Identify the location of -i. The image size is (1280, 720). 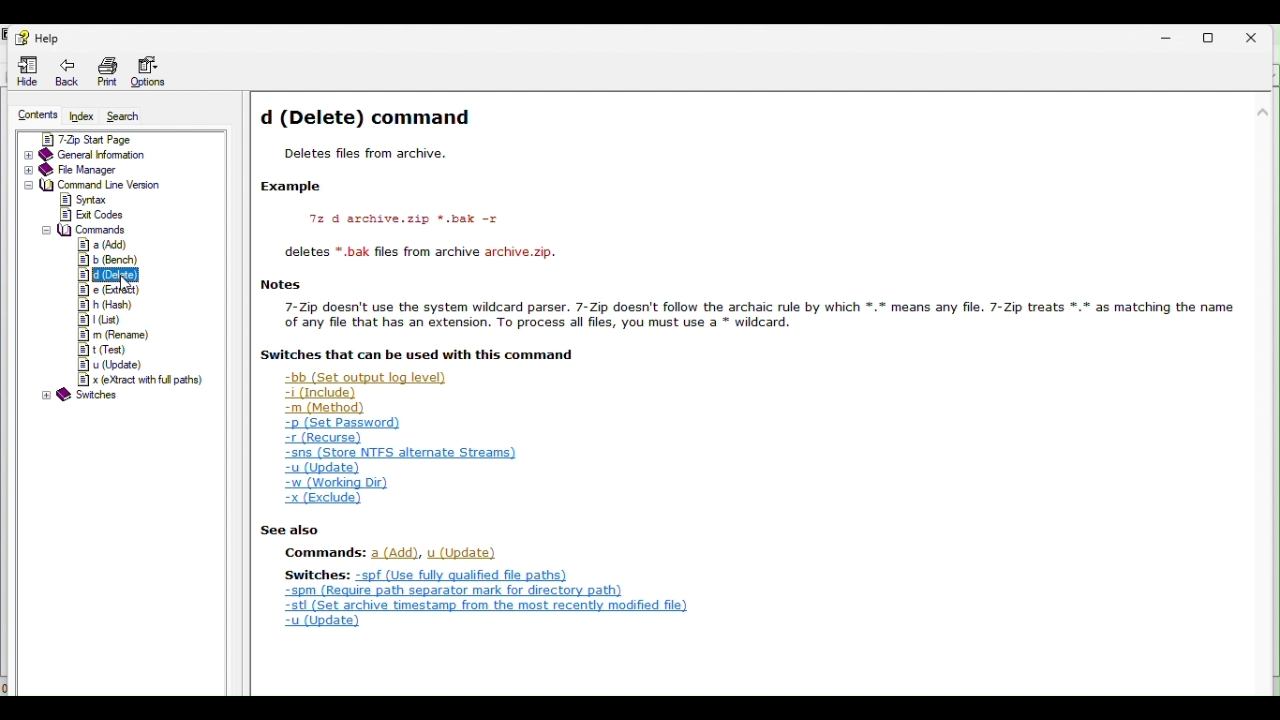
(325, 392).